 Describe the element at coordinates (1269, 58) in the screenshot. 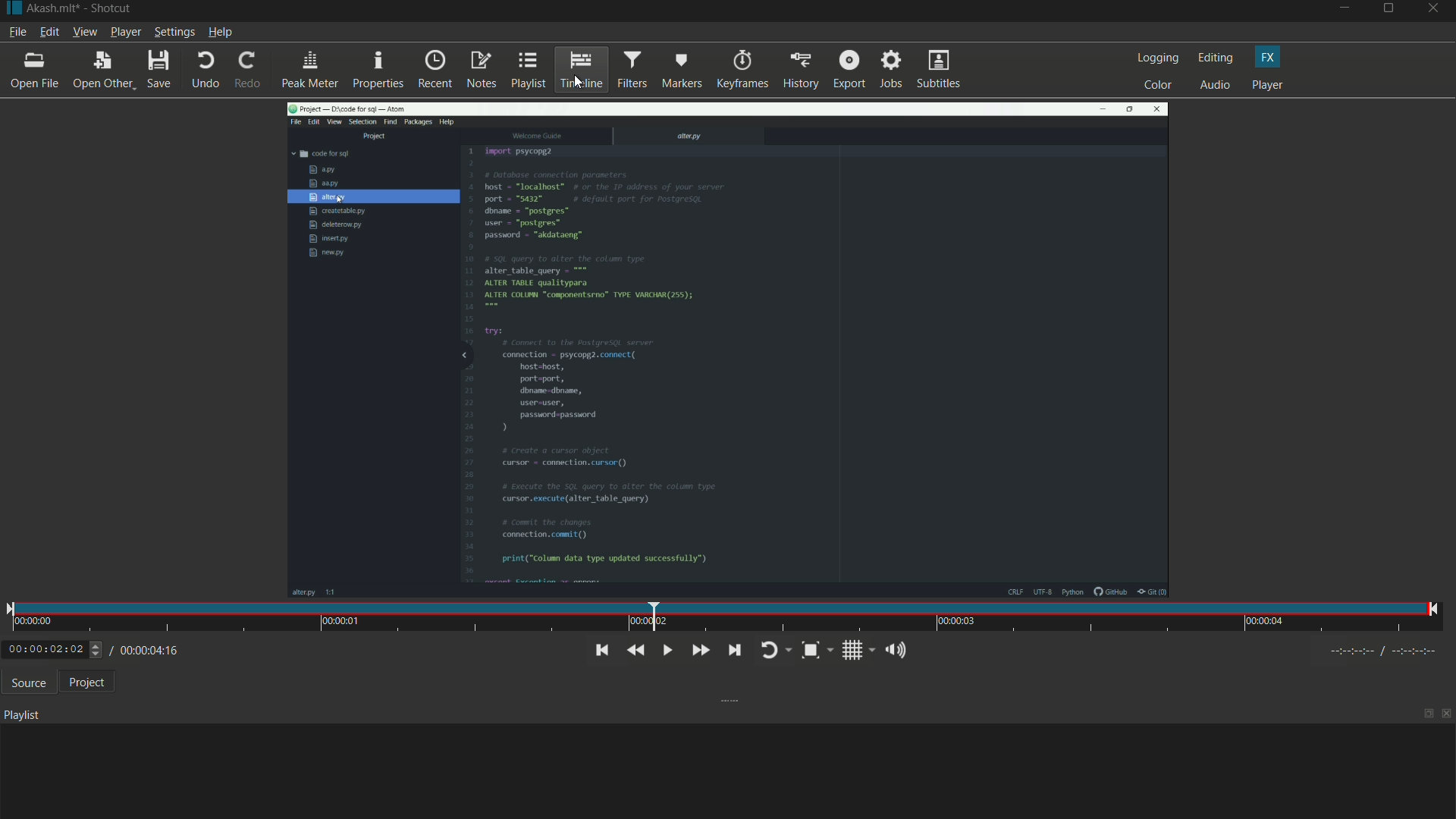

I see `fx` at that location.